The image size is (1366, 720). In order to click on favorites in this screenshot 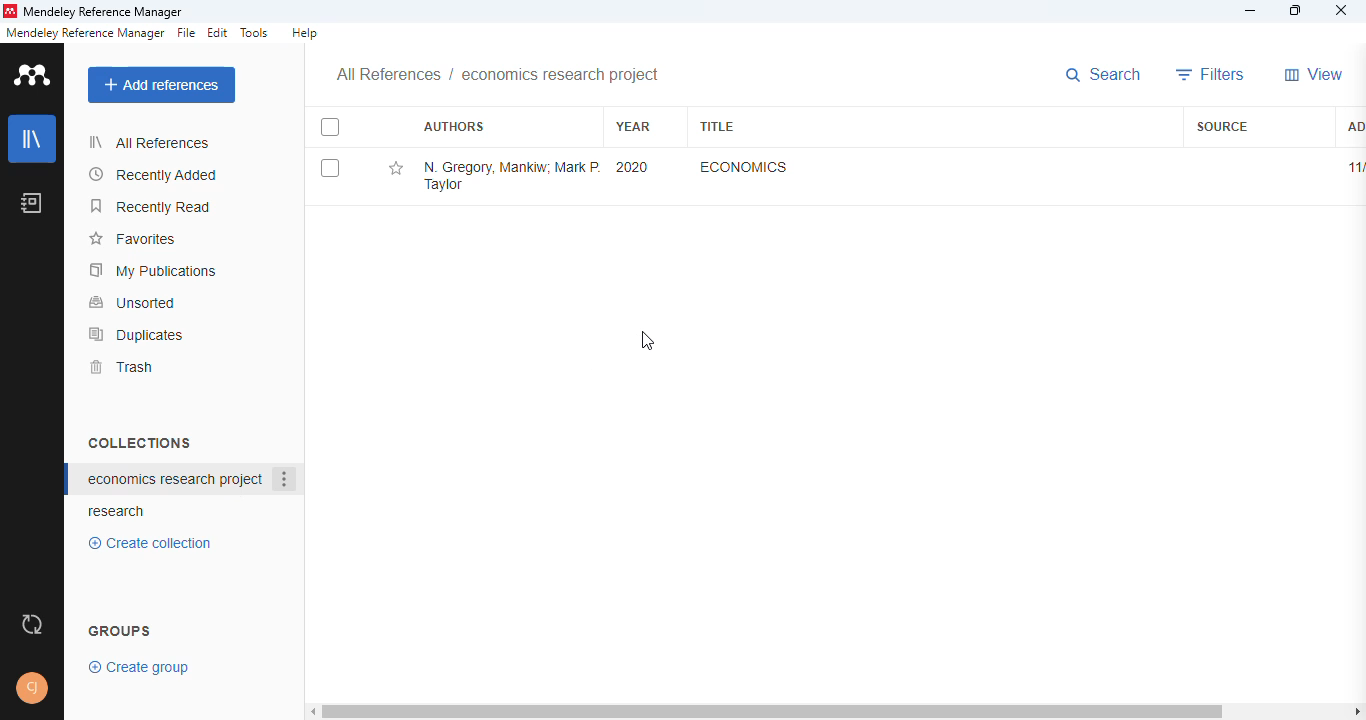, I will do `click(131, 239)`.